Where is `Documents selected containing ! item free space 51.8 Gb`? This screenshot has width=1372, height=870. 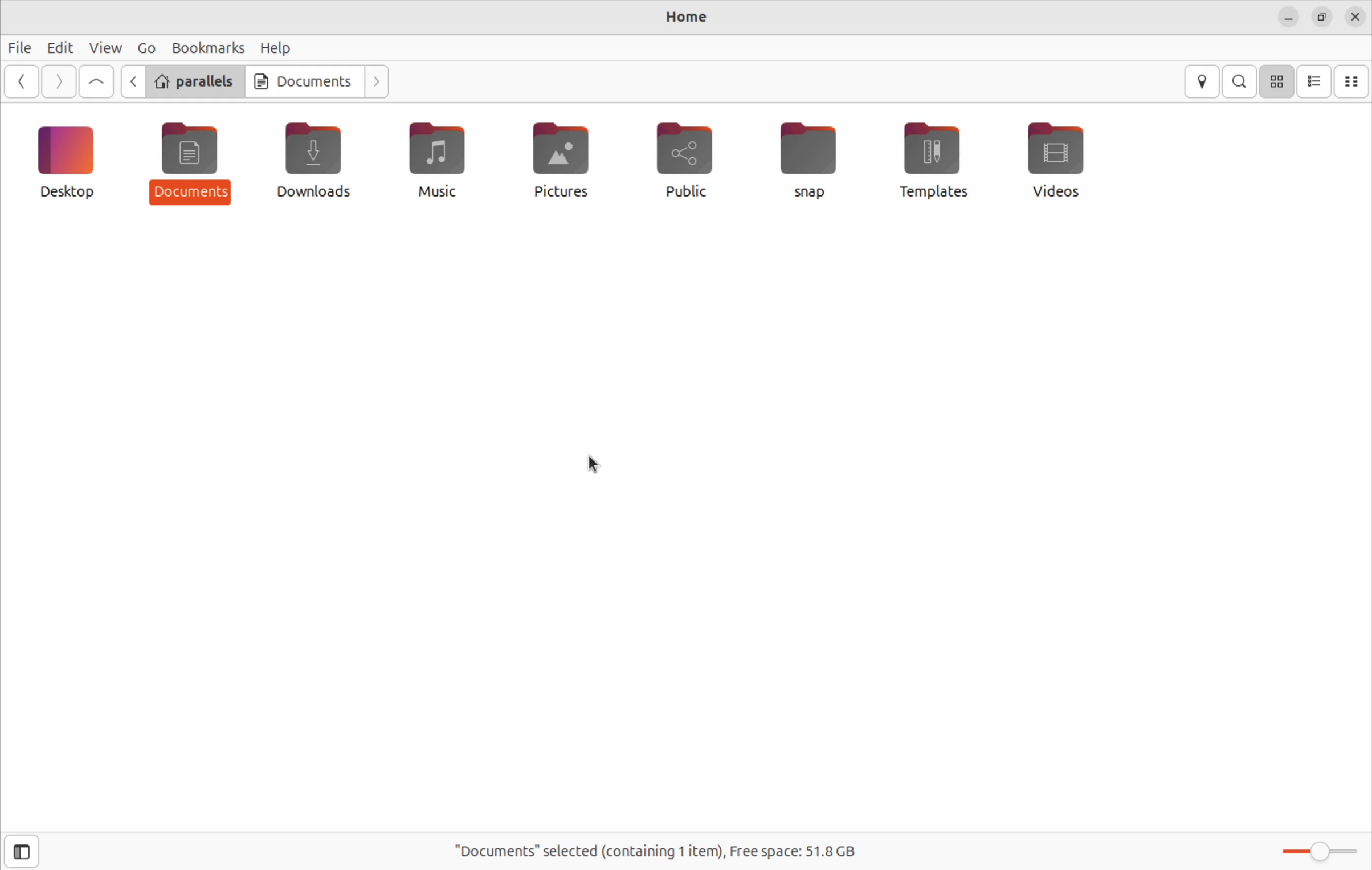 Documents selected containing ! item free space 51.8 Gb is located at coordinates (651, 847).